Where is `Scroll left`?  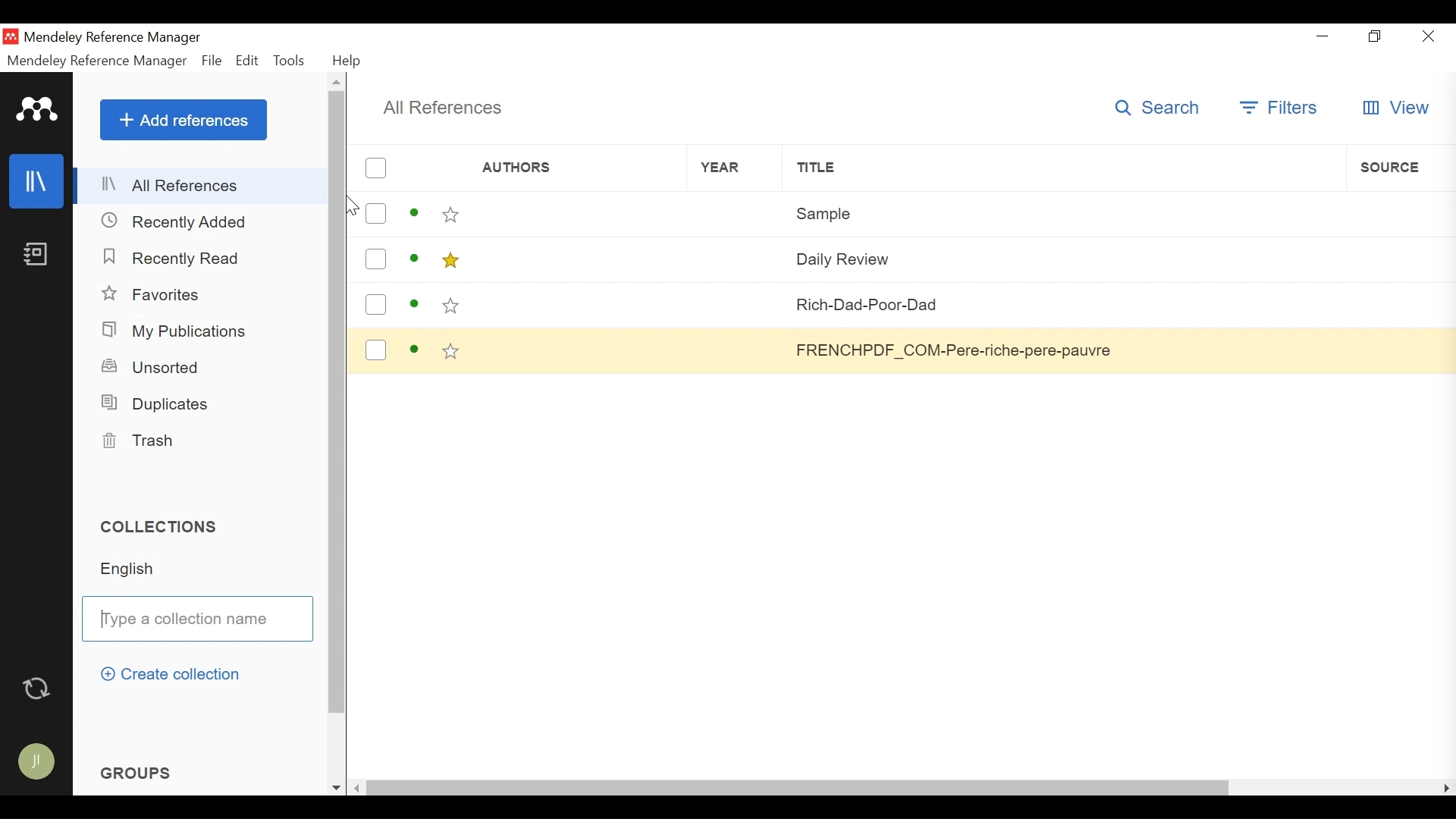 Scroll left is located at coordinates (360, 787).